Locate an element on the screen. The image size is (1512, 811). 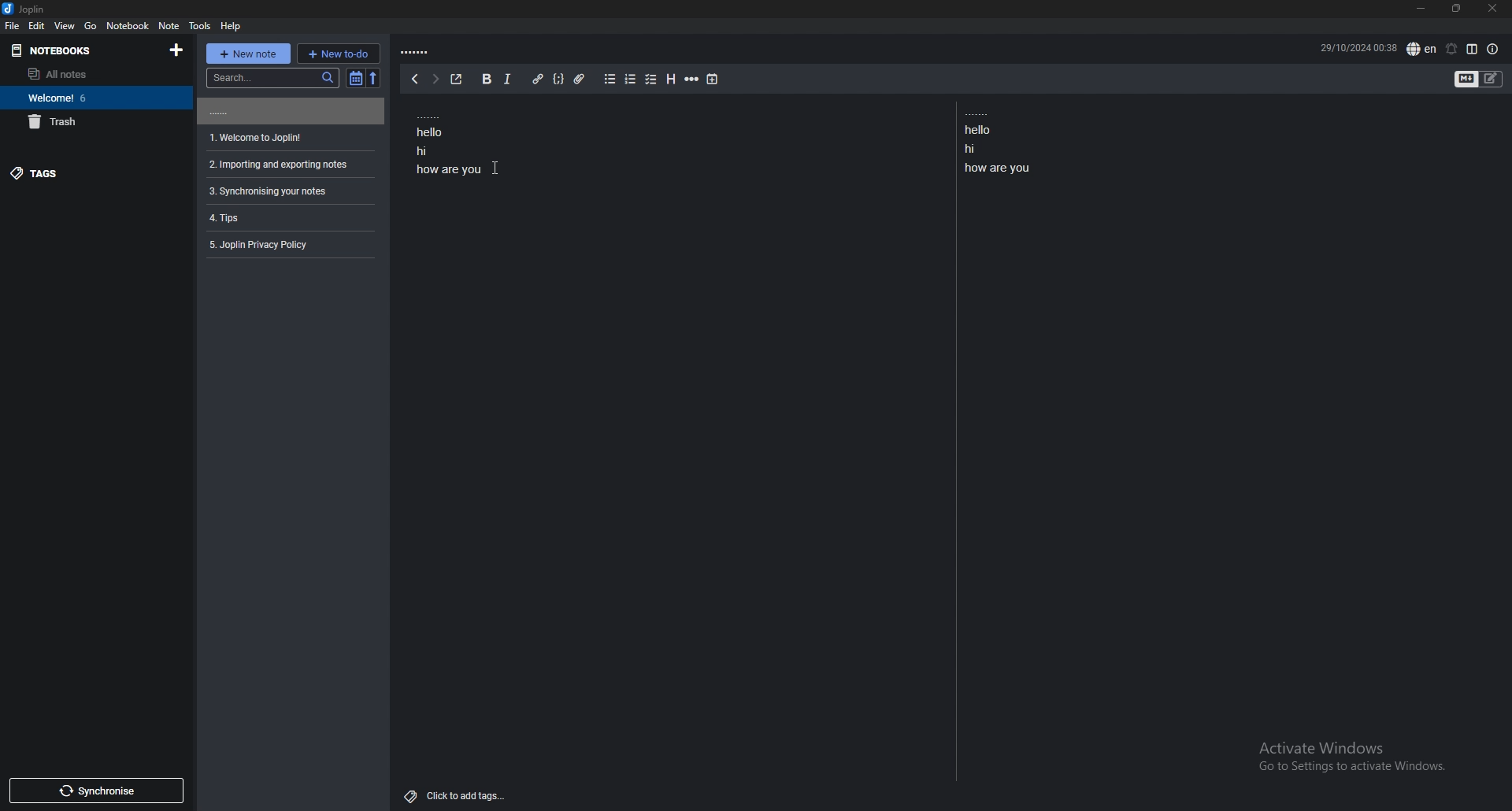
note is located at coordinates (288, 111).